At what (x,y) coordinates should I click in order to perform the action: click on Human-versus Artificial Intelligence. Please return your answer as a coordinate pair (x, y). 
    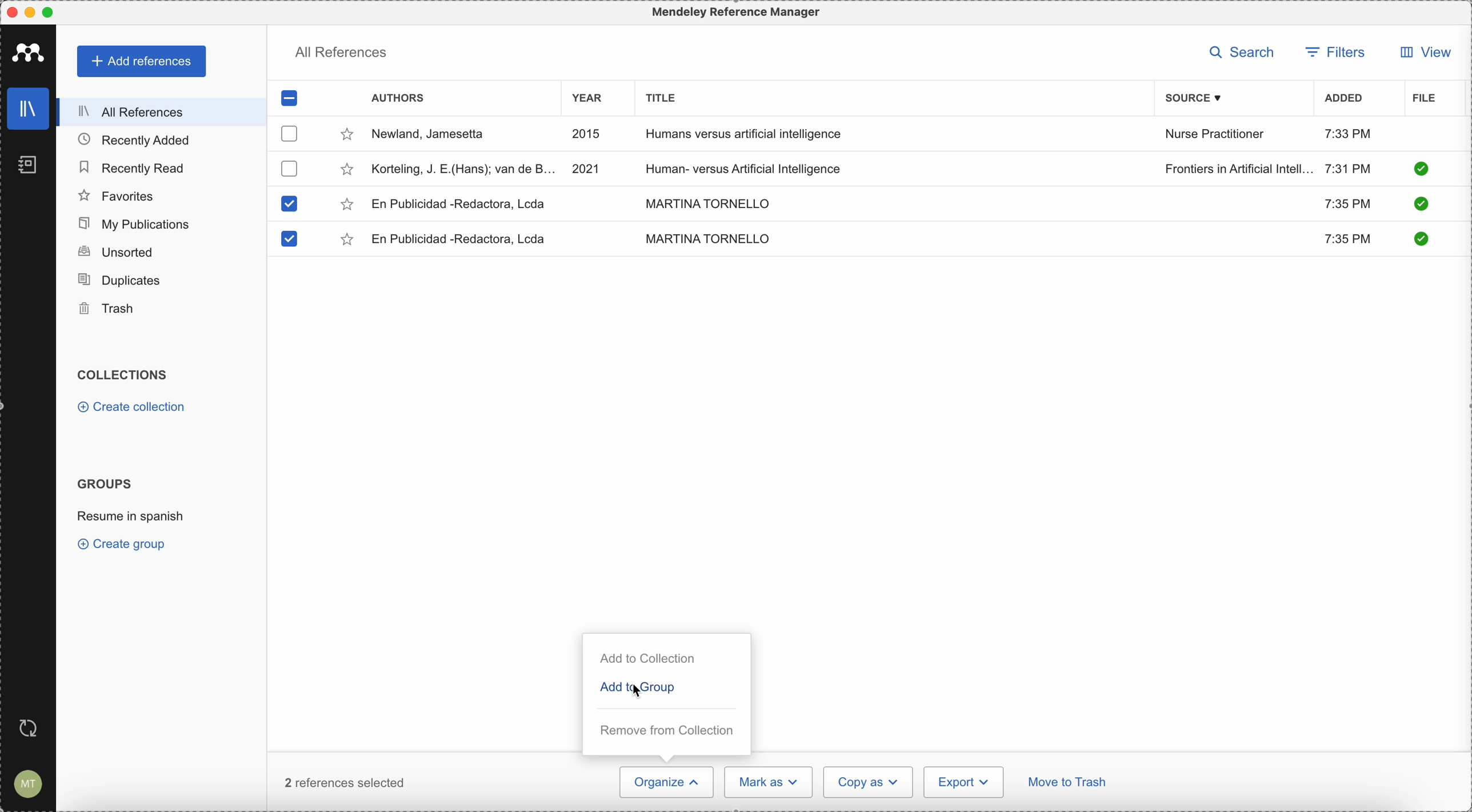
    Looking at the image, I should click on (754, 167).